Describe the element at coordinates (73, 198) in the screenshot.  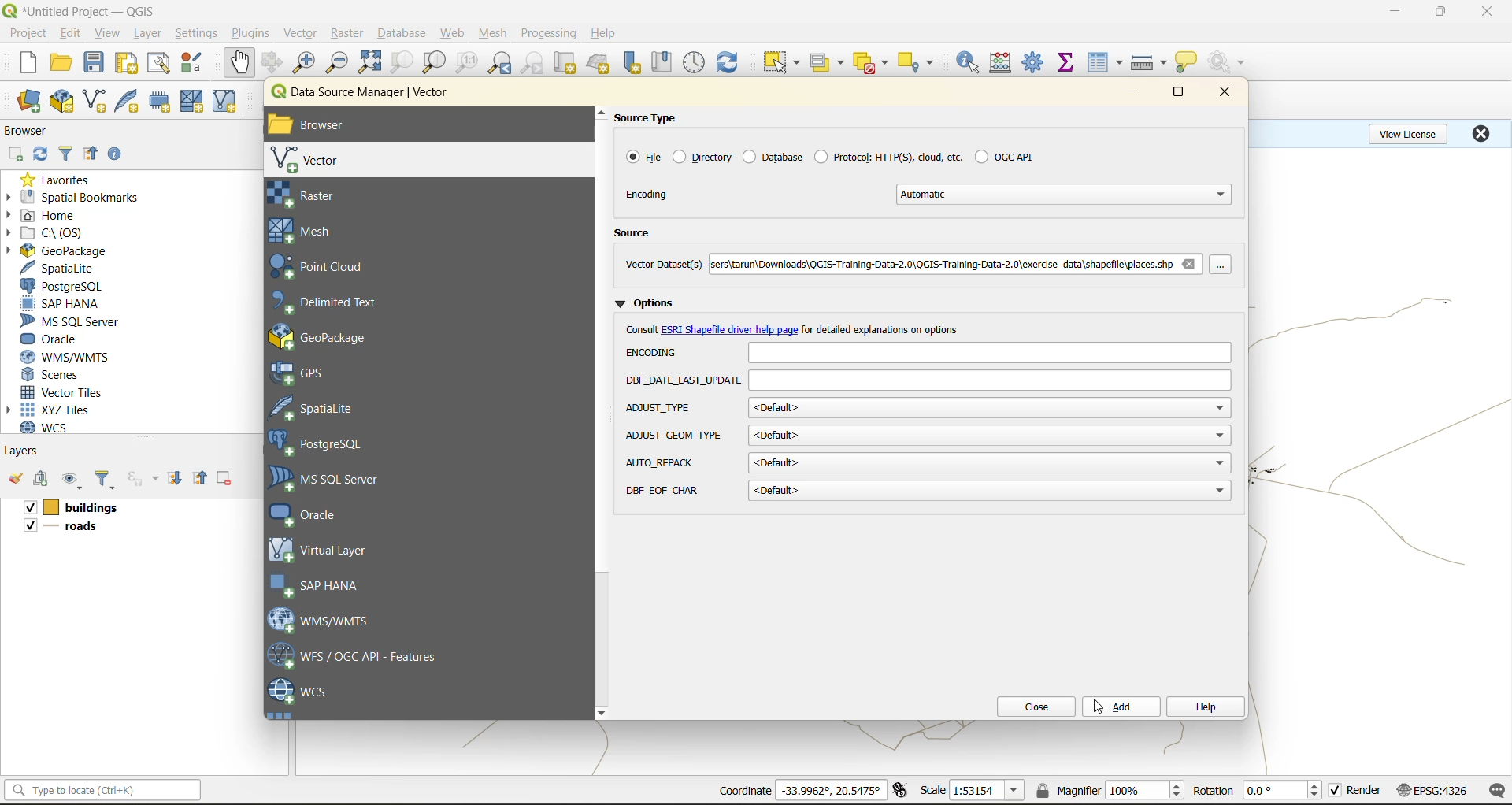
I see `spatial bookmarks` at that location.